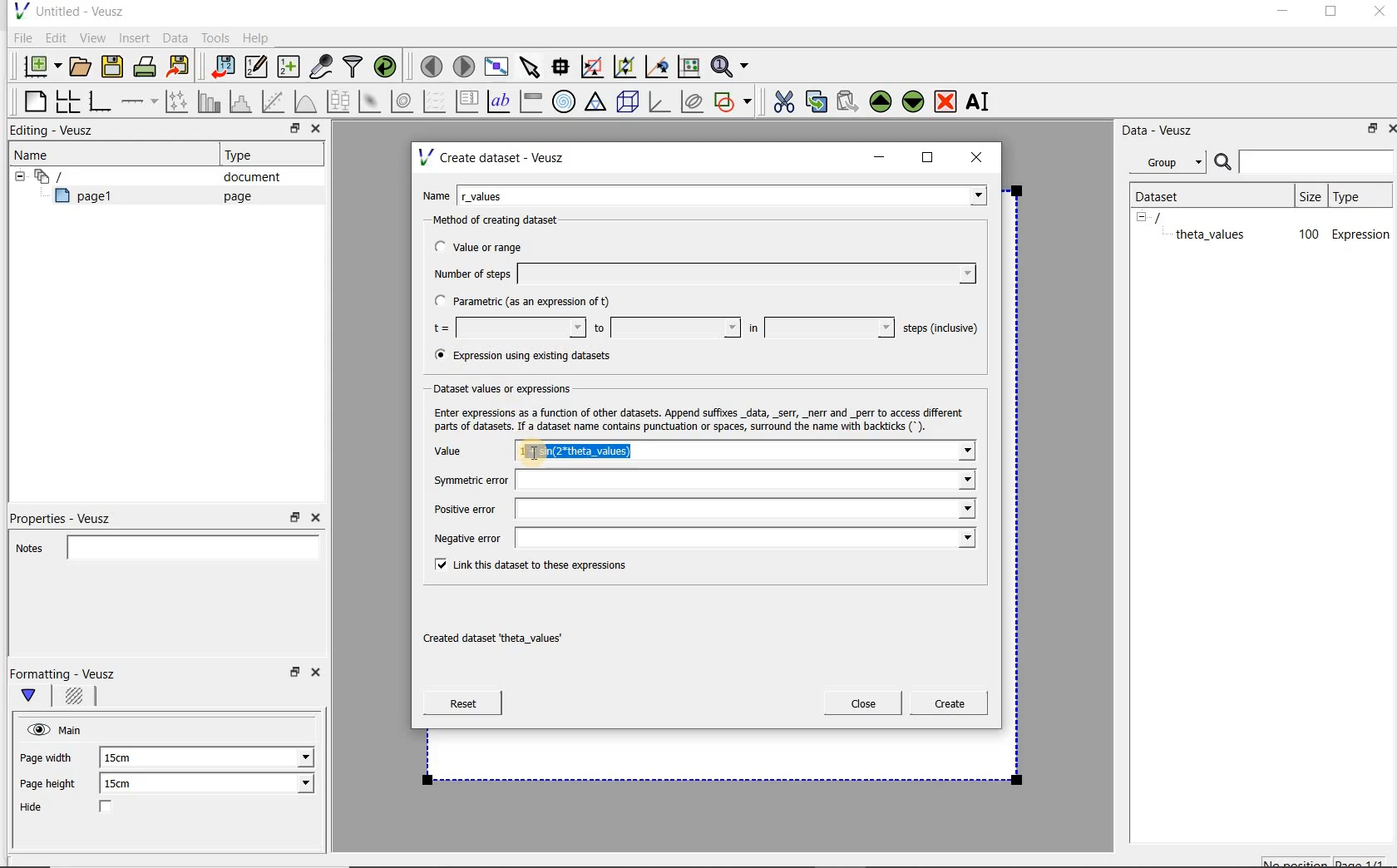 The width and height of the screenshot is (1397, 868). I want to click on Search bar, so click(1305, 160).